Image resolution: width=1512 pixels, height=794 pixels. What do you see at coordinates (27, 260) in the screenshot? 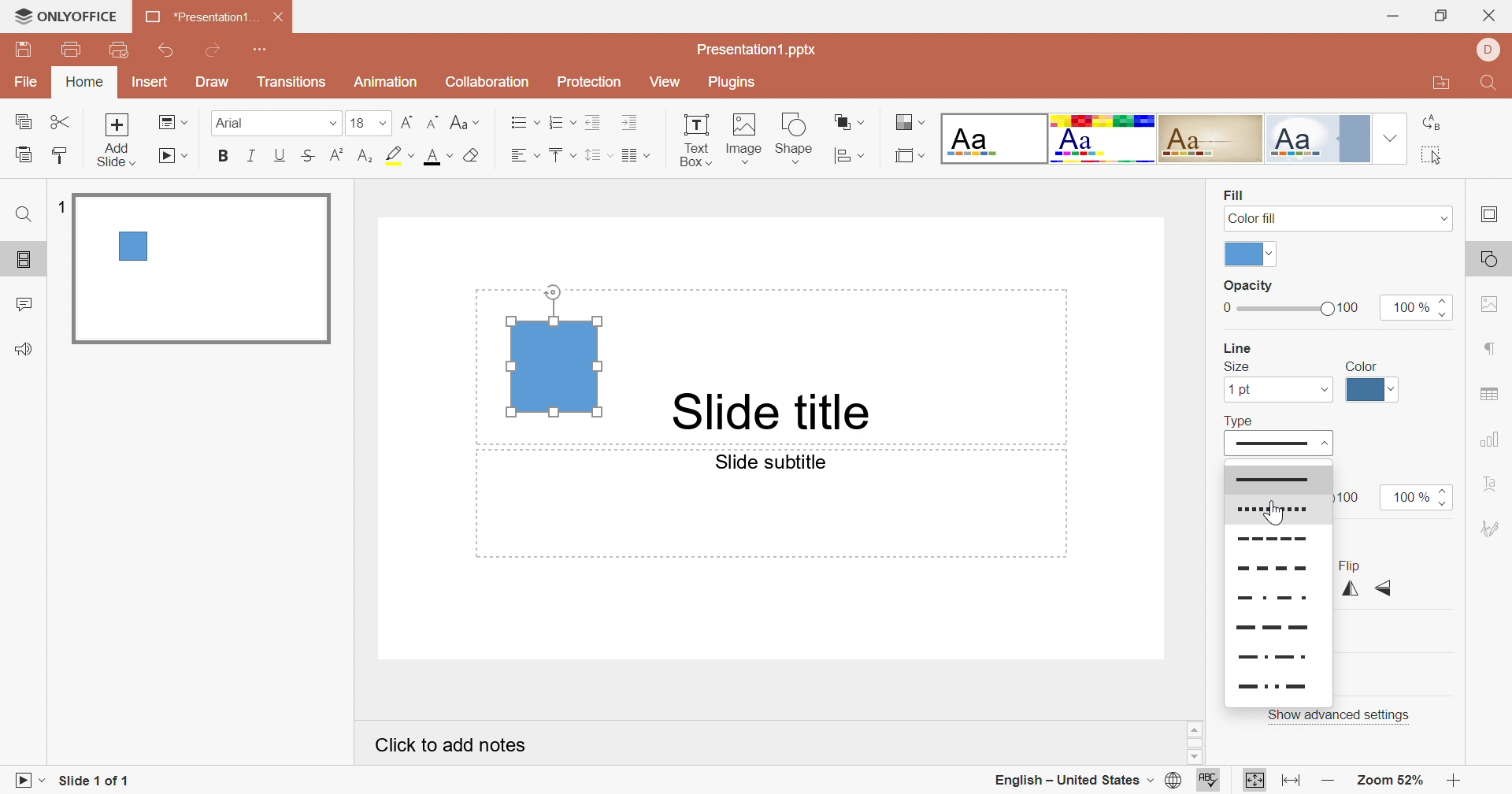
I see `Slides` at bounding box center [27, 260].